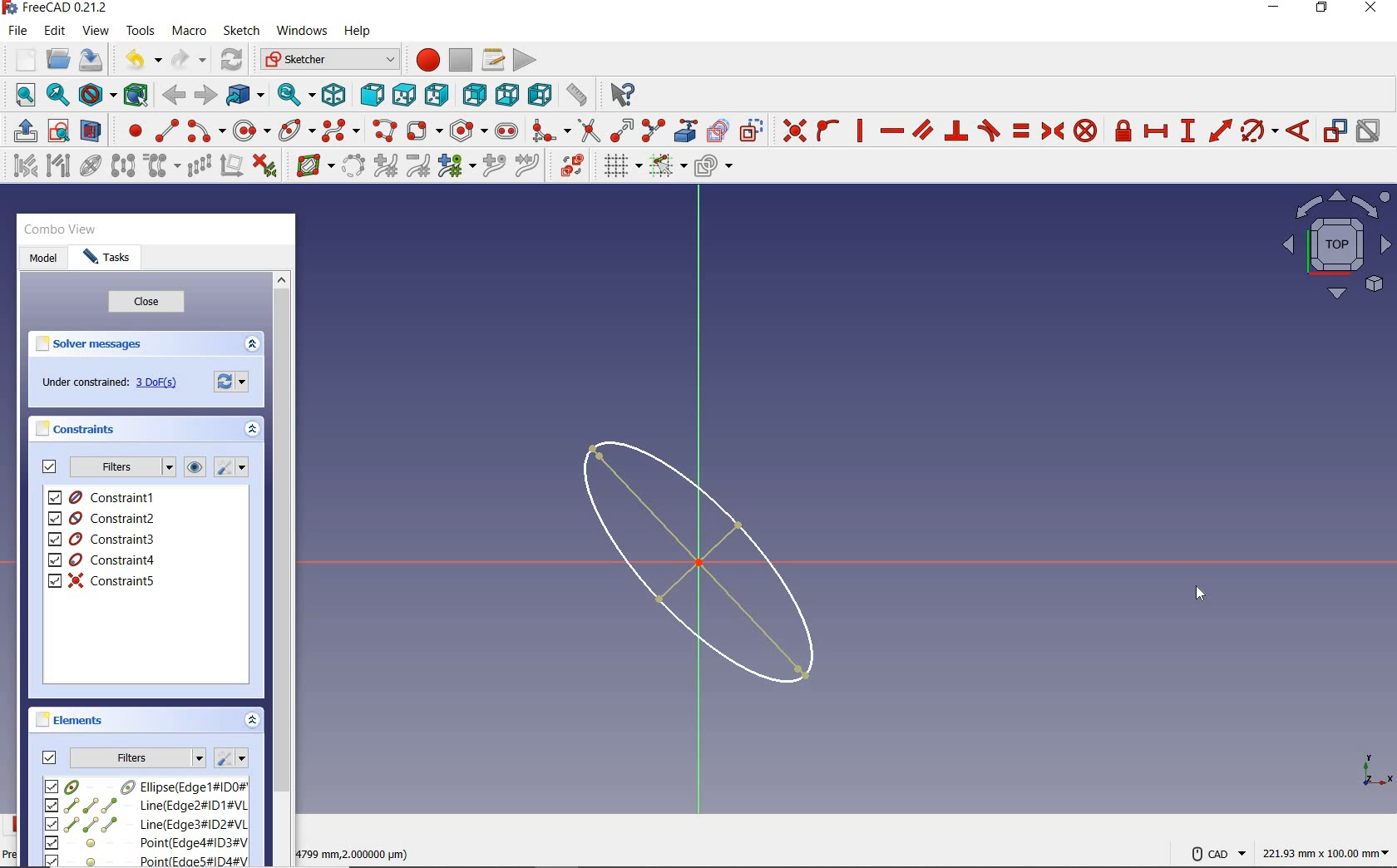 This screenshot has height=868, width=1397. What do you see at coordinates (713, 562) in the screenshot?
I see `sketch panned down` at bounding box center [713, 562].